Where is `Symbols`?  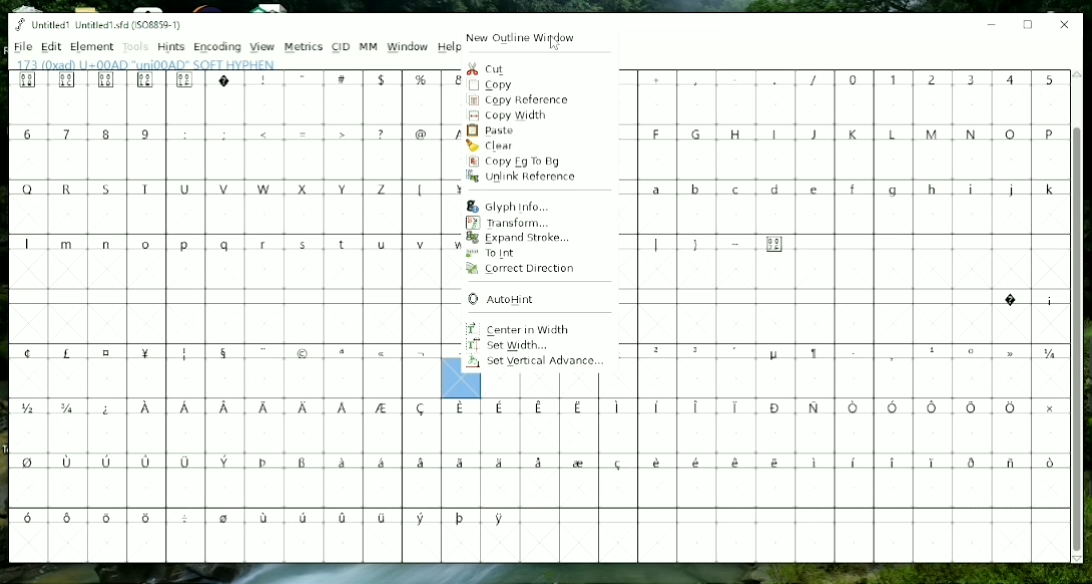
Symbols is located at coordinates (541, 411).